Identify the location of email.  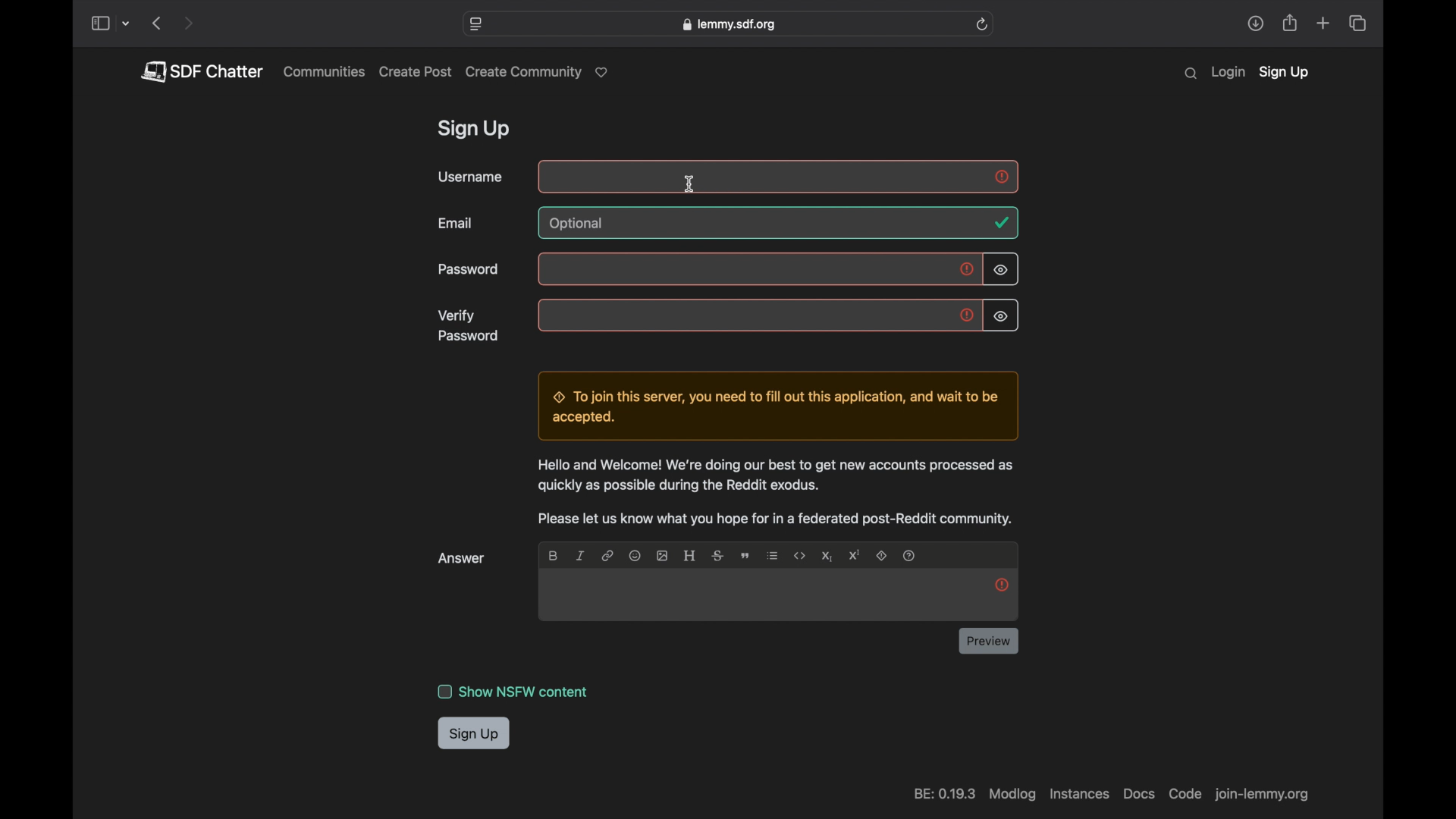
(457, 223).